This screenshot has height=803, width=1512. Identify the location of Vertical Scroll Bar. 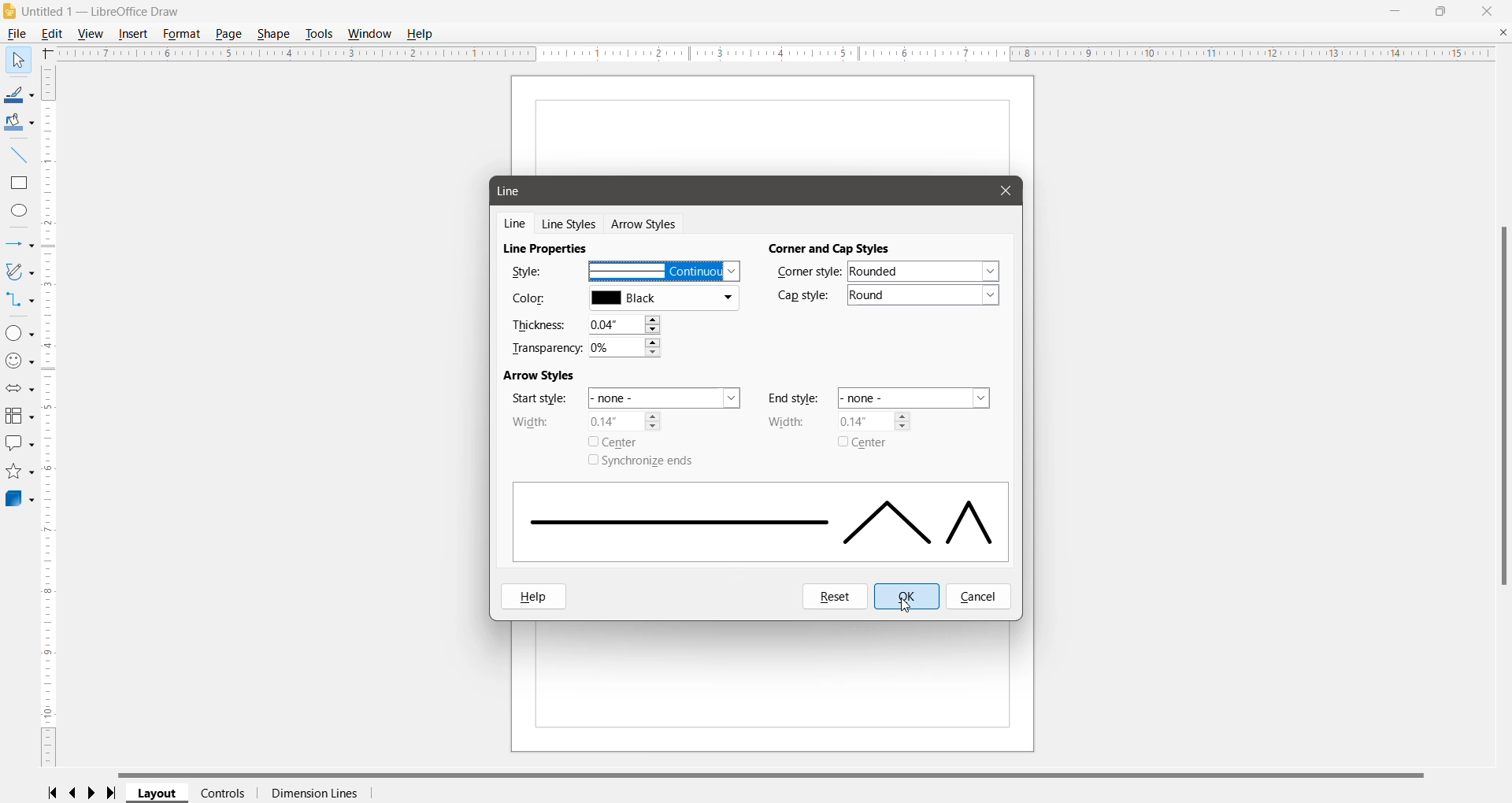
(50, 415).